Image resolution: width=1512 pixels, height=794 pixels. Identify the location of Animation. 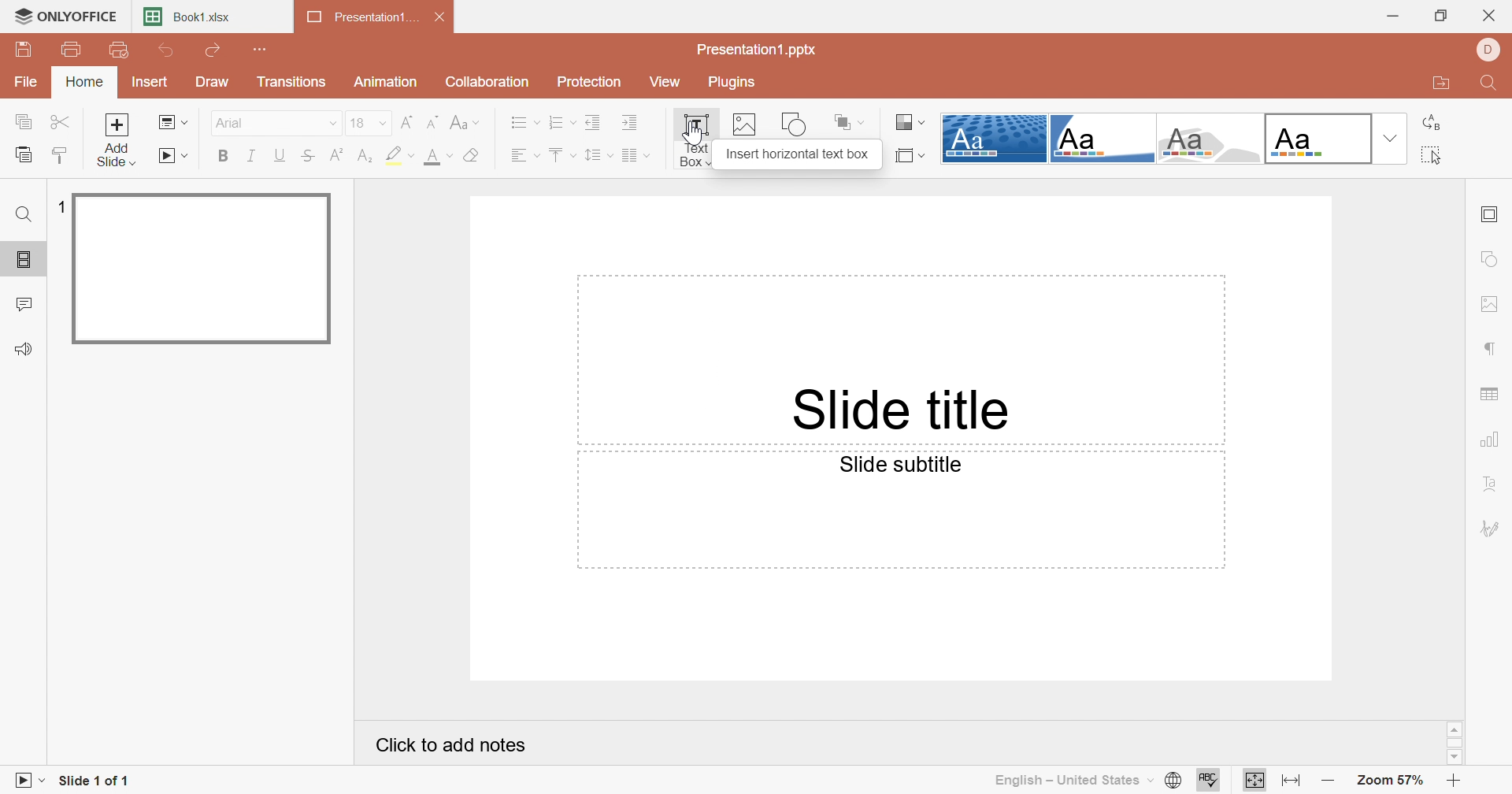
(388, 82).